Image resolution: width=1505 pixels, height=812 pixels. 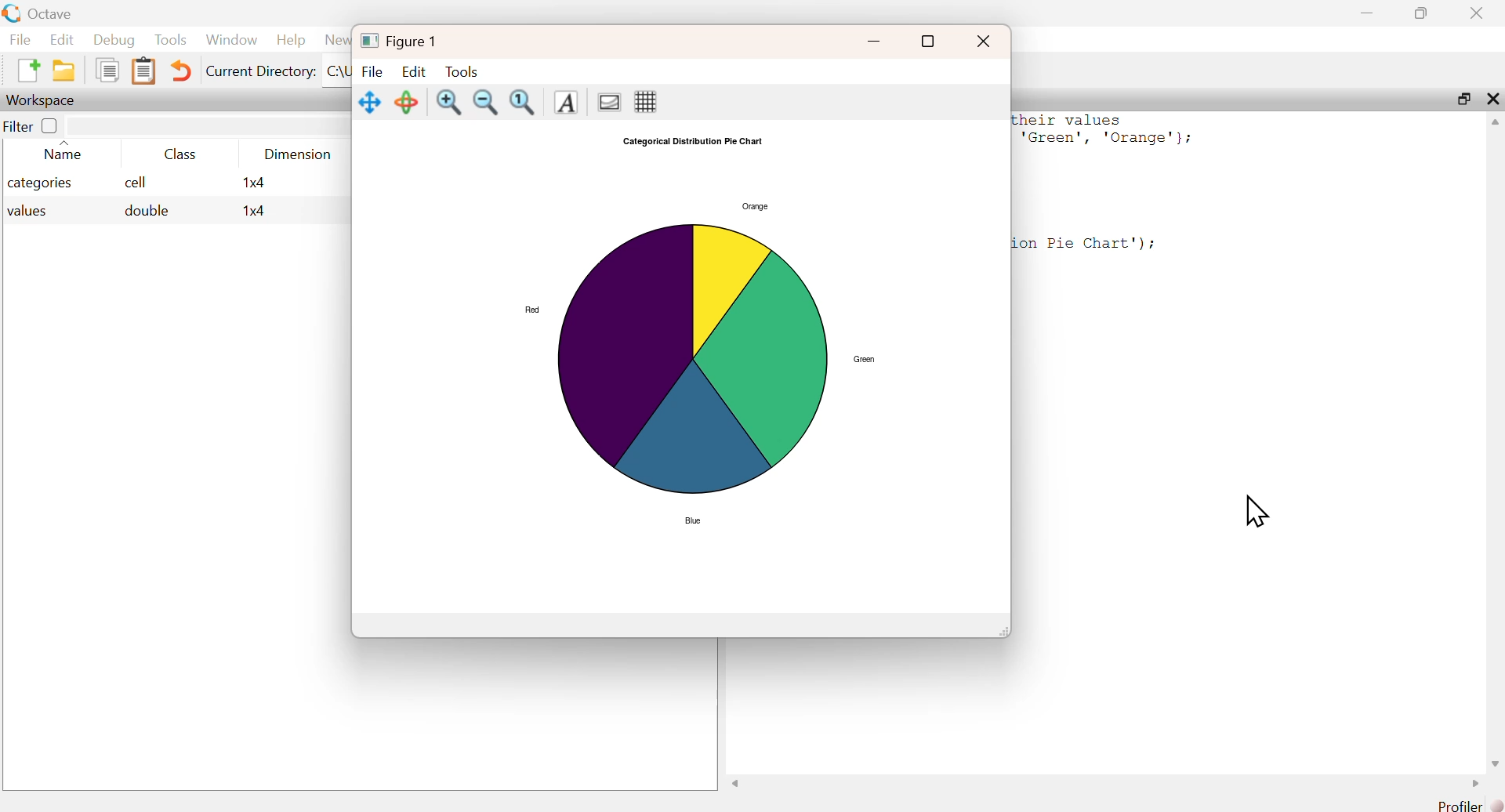 I want to click on Class, so click(x=181, y=154).